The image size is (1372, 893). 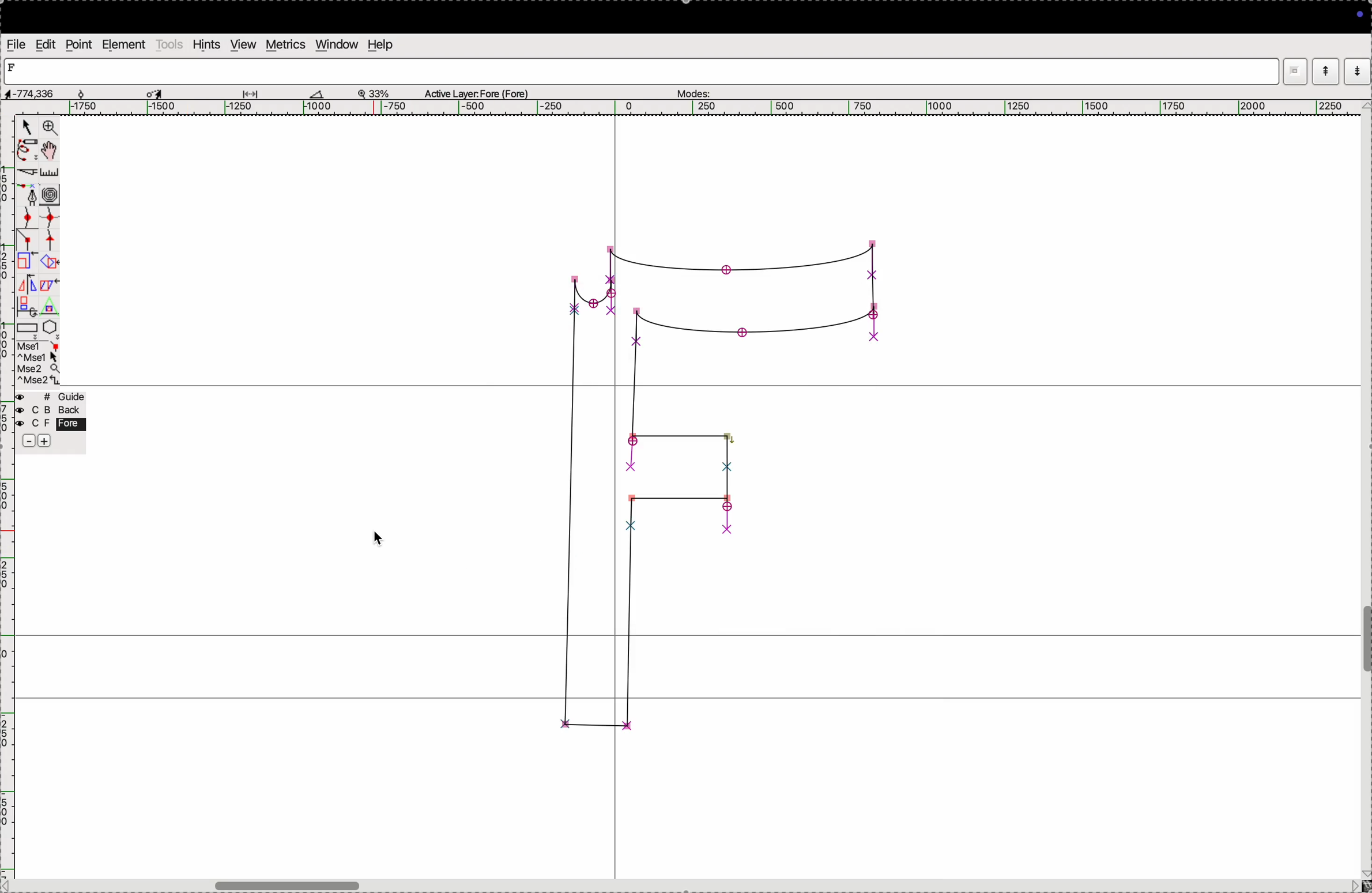 What do you see at coordinates (47, 44) in the screenshot?
I see `edit` at bounding box center [47, 44].